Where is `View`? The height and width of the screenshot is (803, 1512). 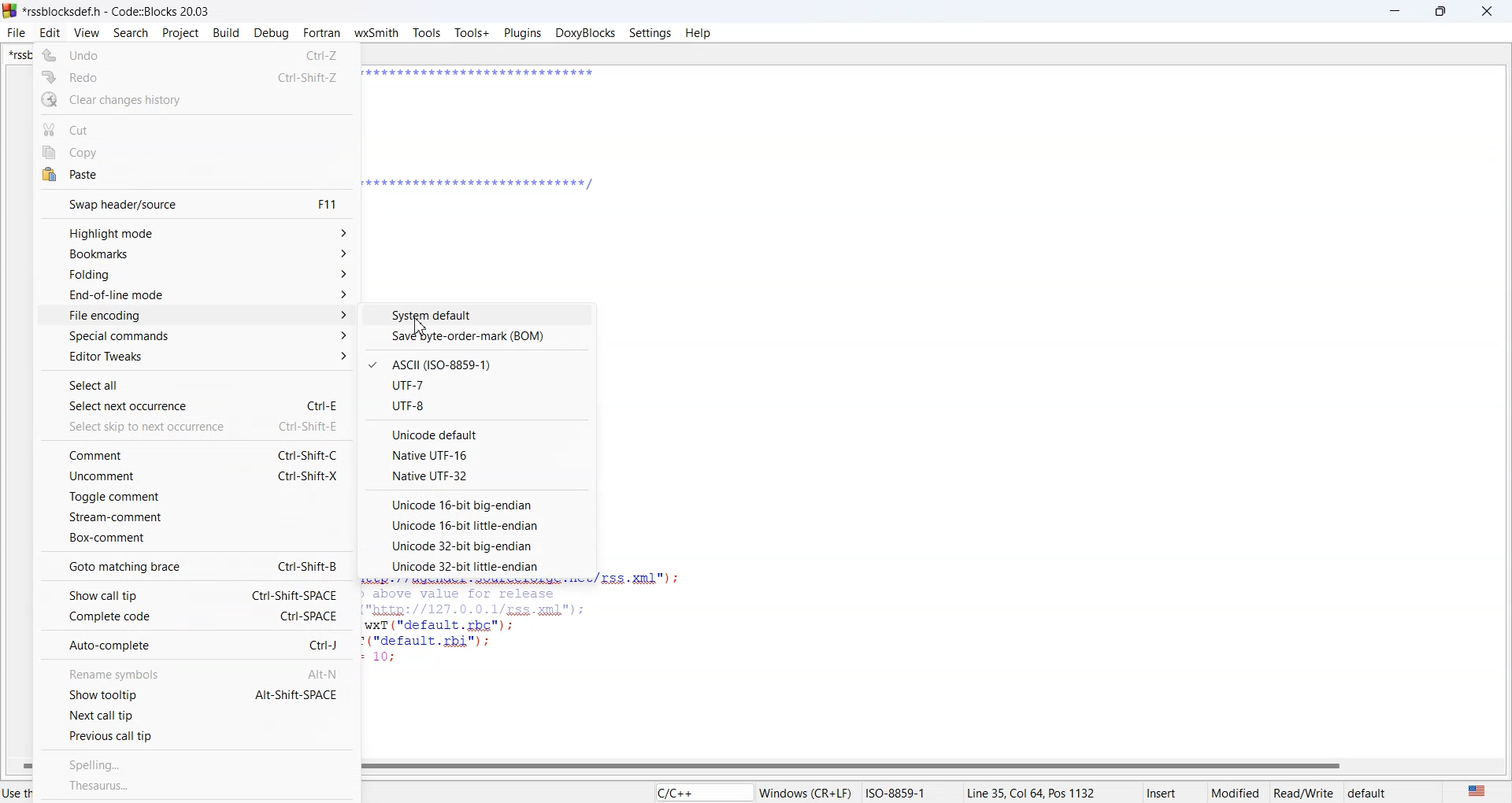 View is located at coordinates (87, 33).